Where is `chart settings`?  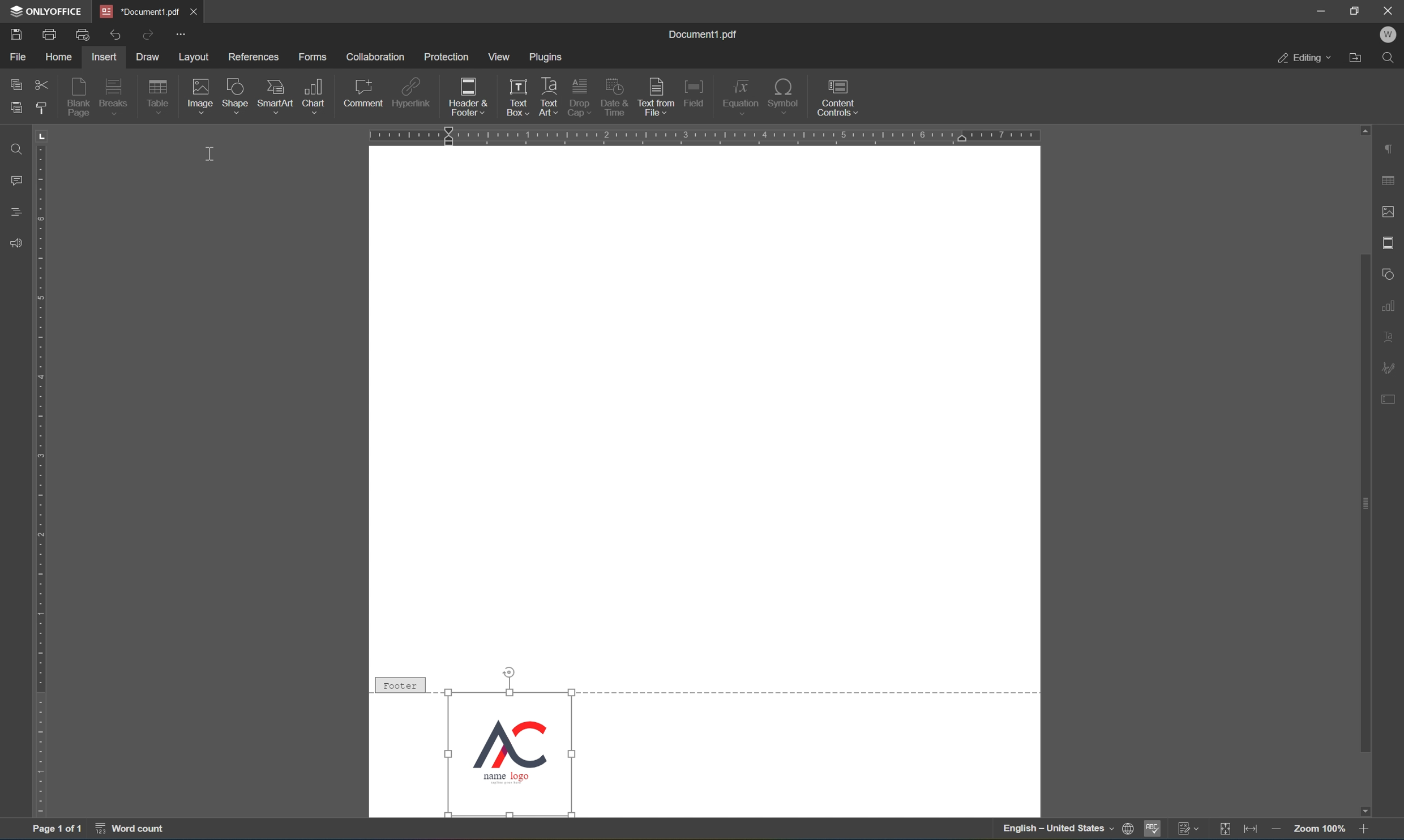
chart settings is located at coordinates (1389, 303).